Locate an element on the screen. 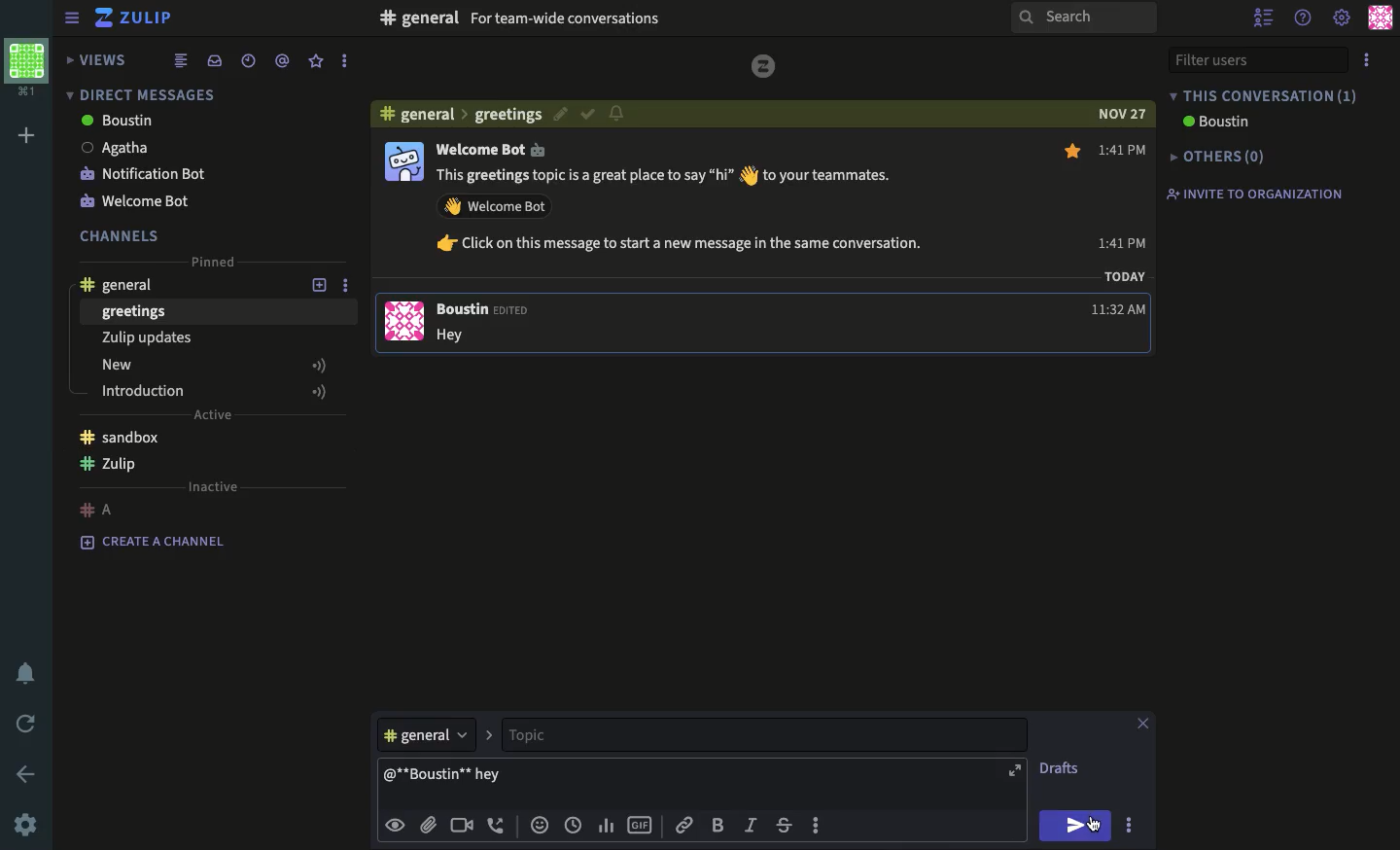 This screenshot has width=1400, height=850. 1:41 PM is located at coordinates (1124, 195).